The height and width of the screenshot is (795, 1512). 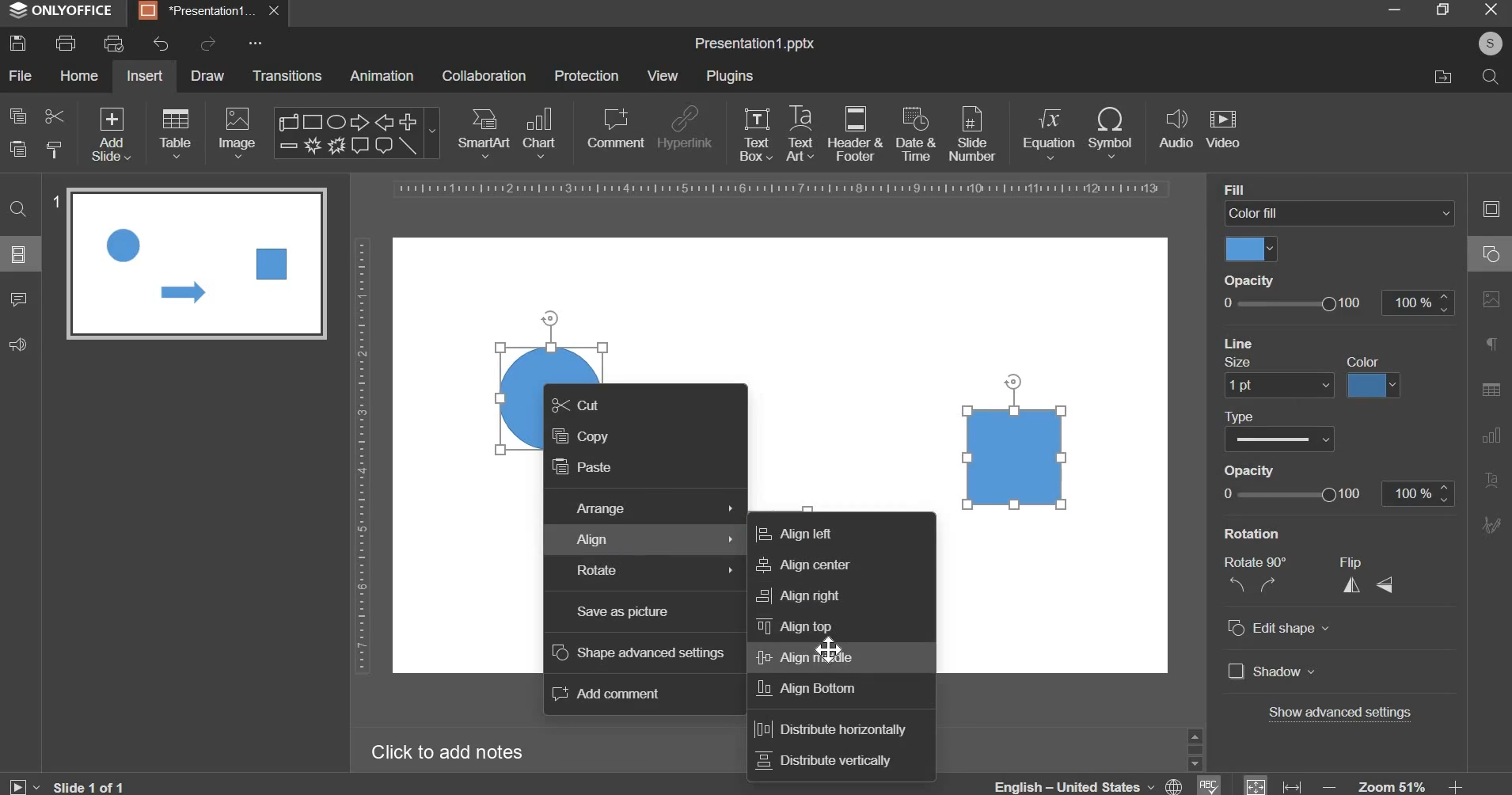 I want to click on add slide, so click(x=112, y=135).